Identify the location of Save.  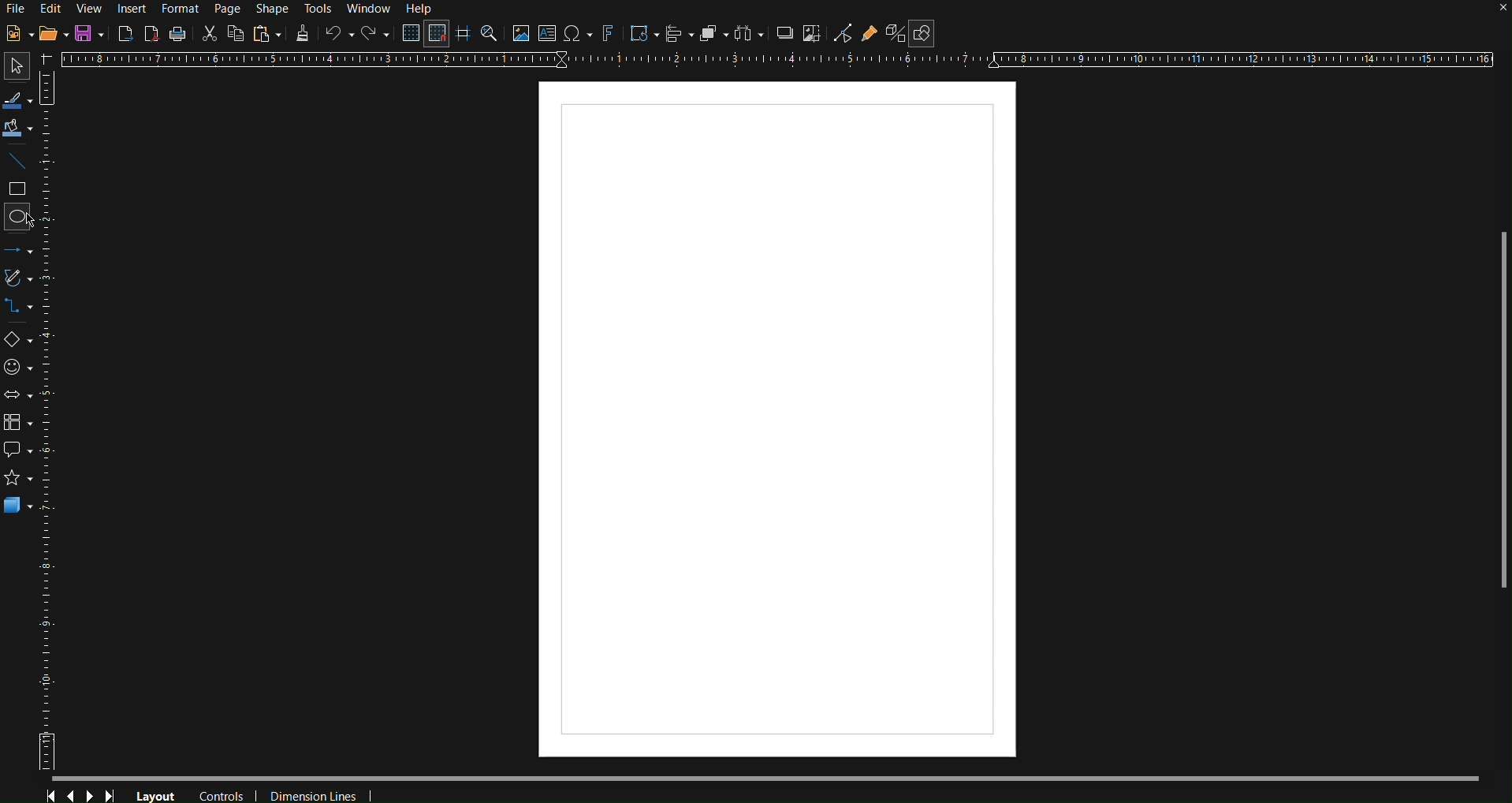
(91, 34).